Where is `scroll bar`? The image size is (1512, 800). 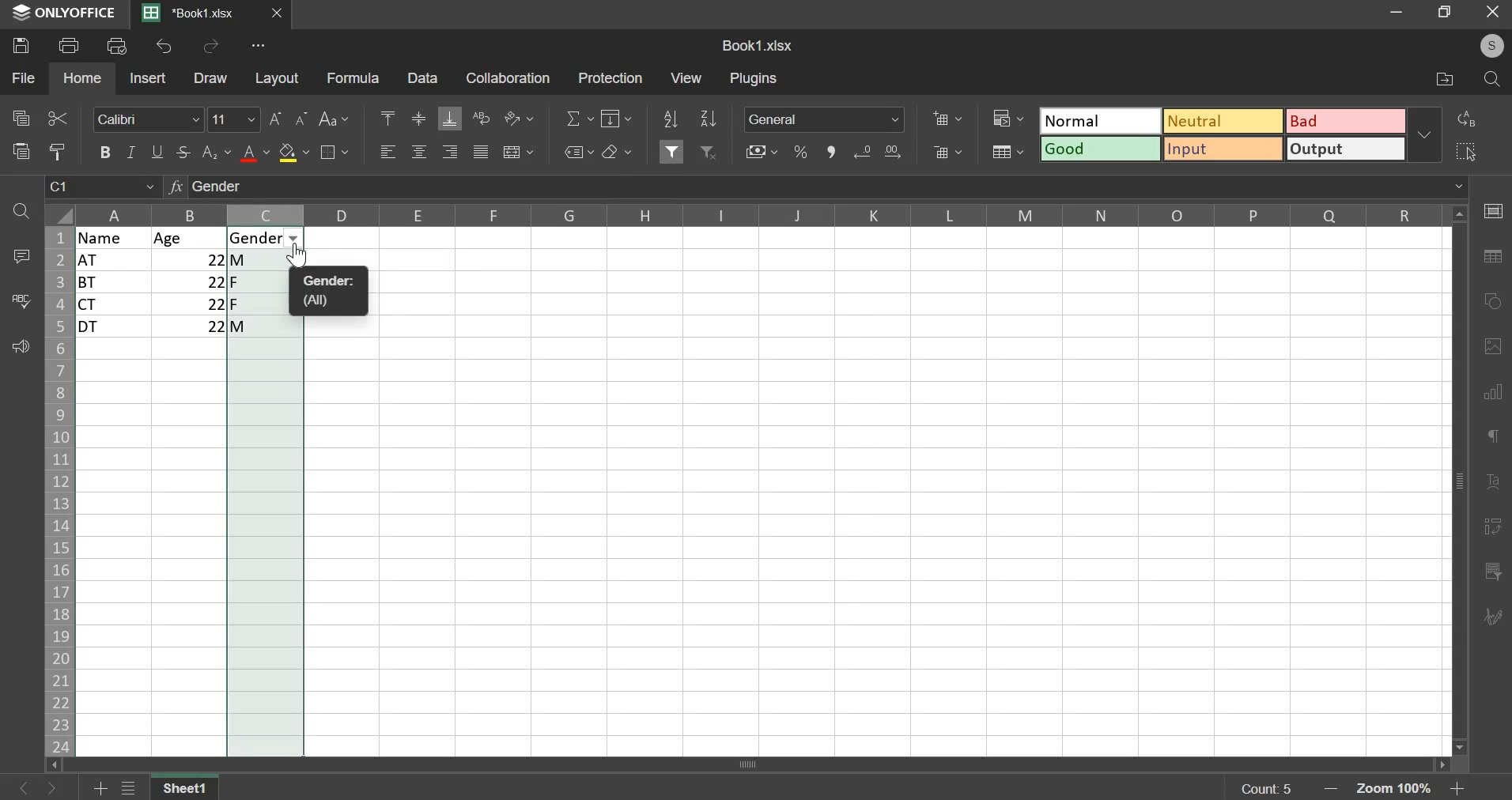 scroll bar is located at coordinates (1461, 481).